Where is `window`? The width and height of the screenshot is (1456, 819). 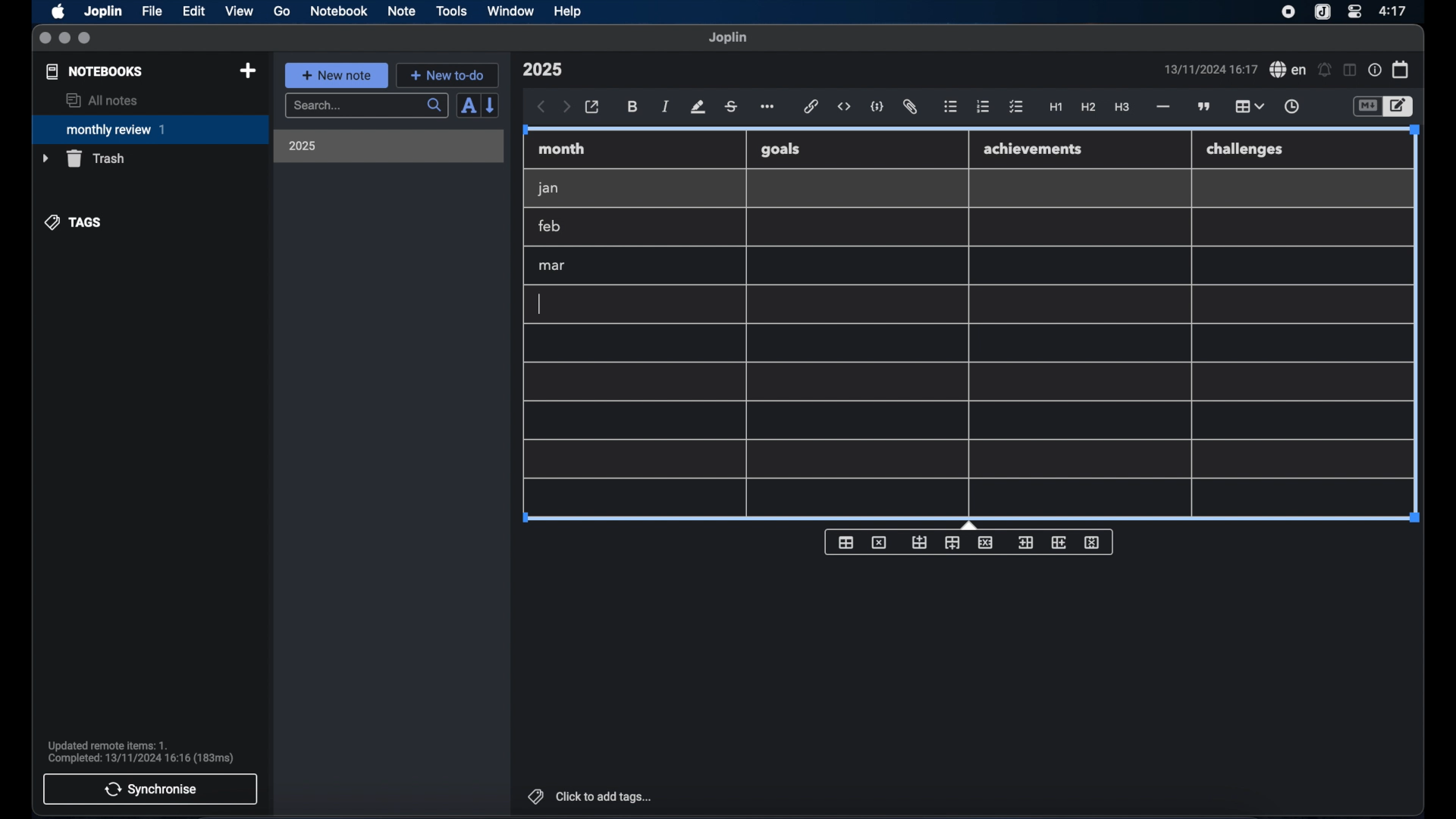 window is located at coordinates (511, 11).